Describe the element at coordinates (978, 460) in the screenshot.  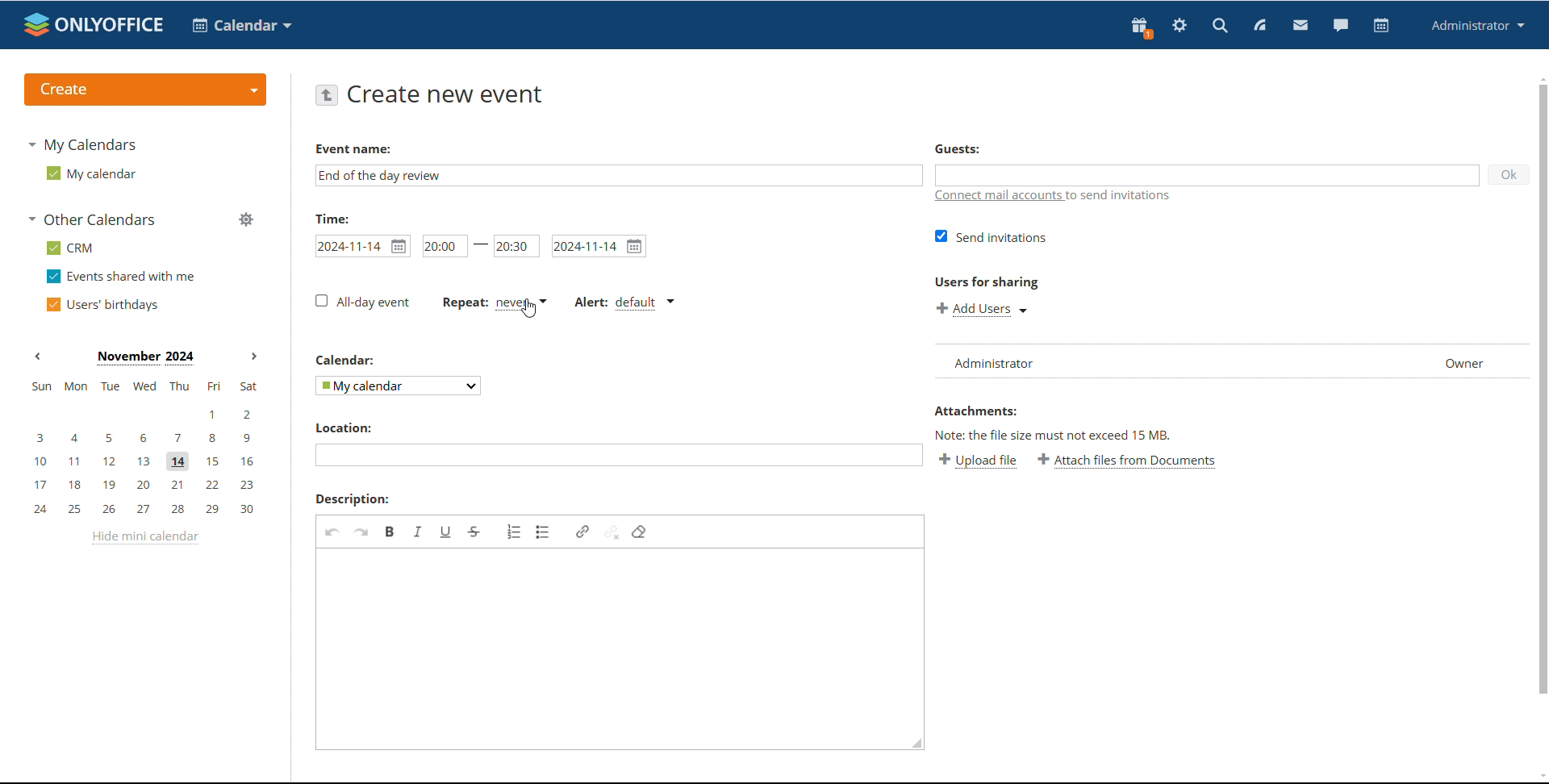
I see `upload file` at that location.